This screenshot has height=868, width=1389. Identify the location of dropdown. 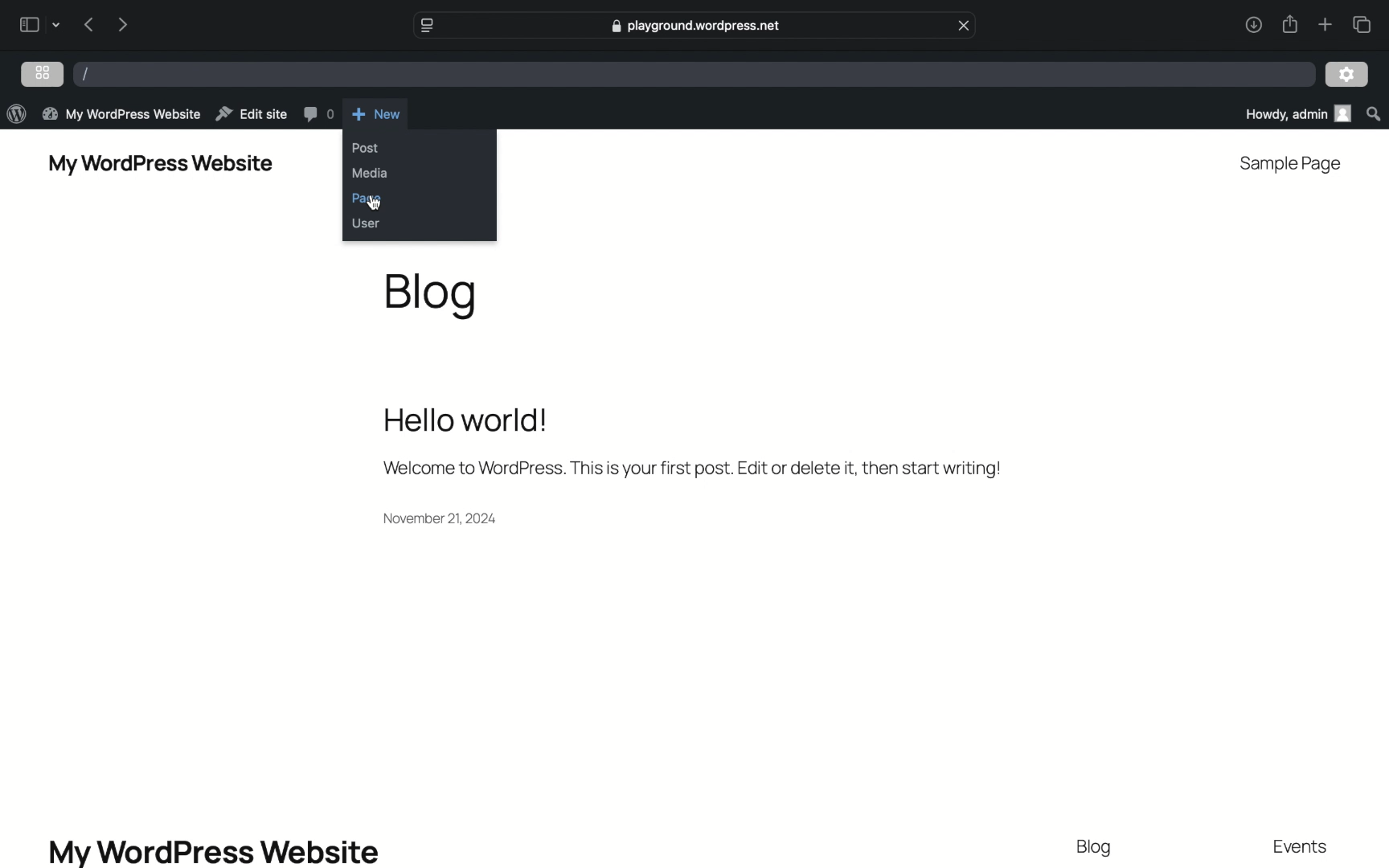
(56, 24).